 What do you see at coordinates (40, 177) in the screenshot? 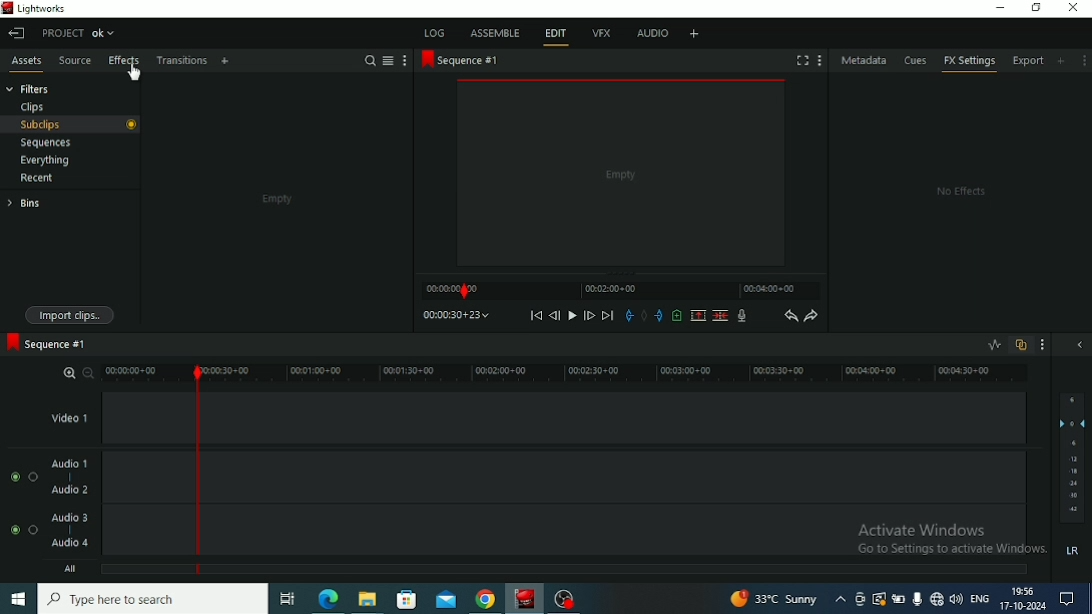
I see `Recent` at bounding box center [40, 177].